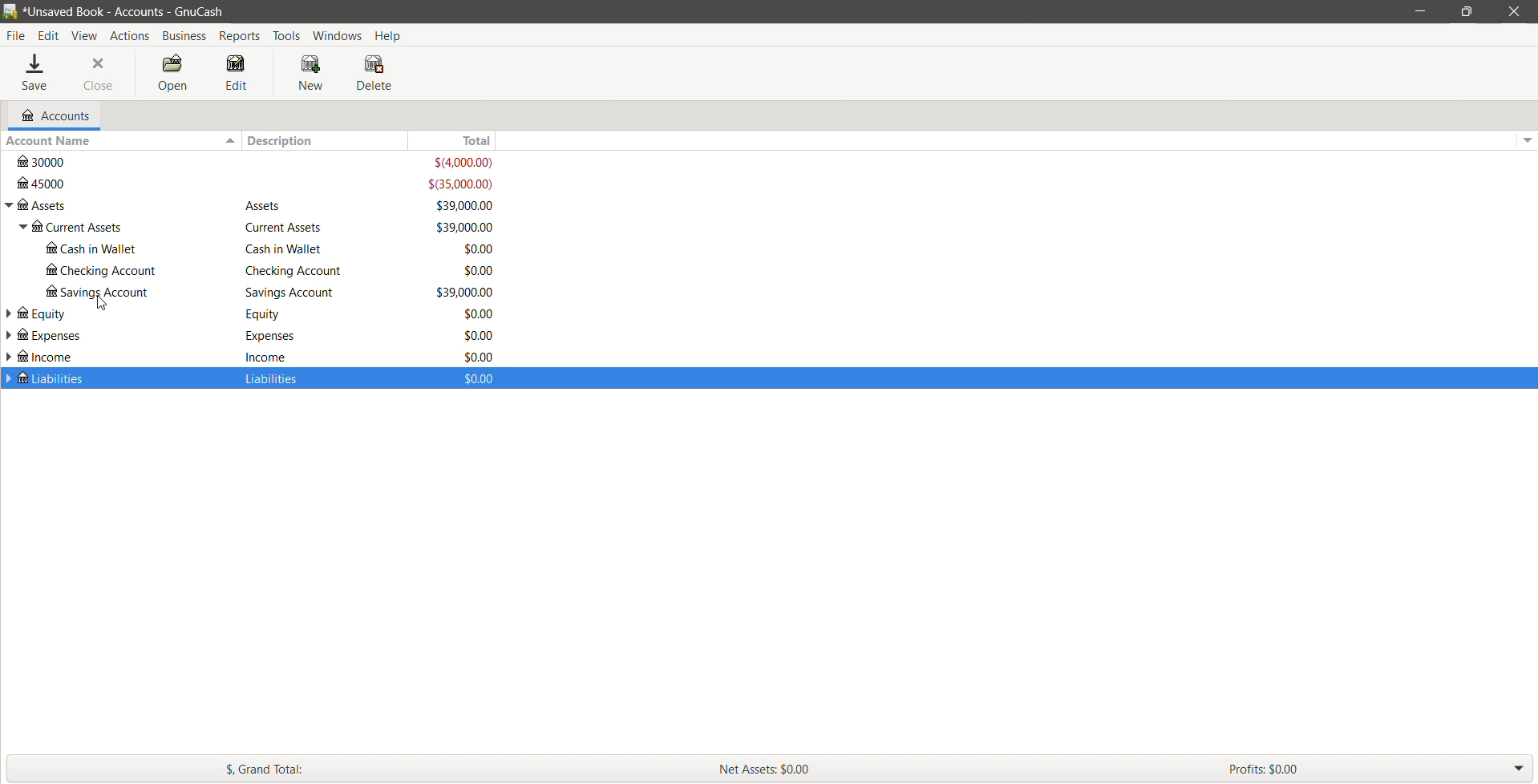  What do you see at coordinates (278, 355) in the screenshot?
I see `incomse` at bounding box center [278, 355].